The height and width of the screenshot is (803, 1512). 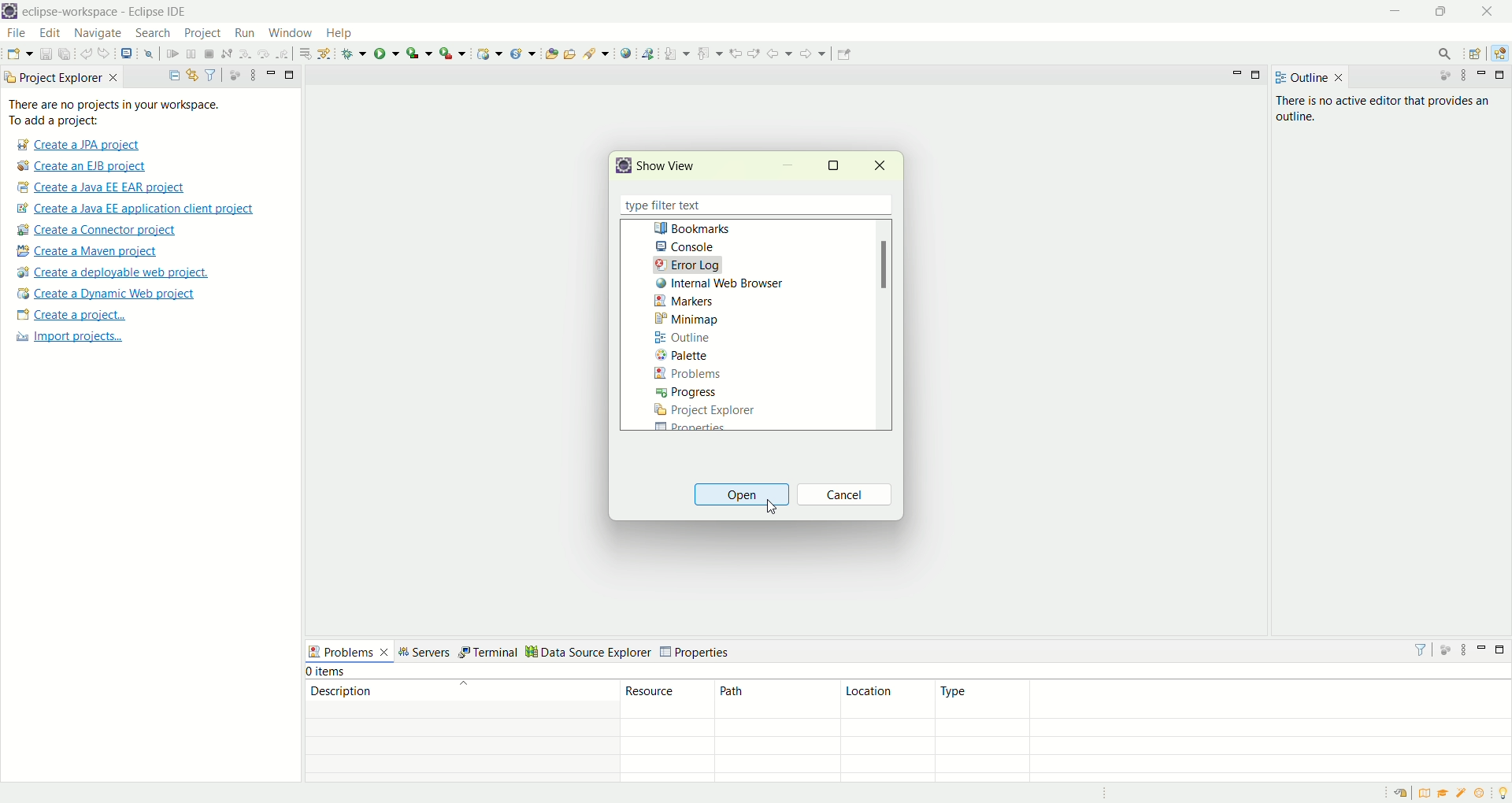 I want to click on open task, so click(x=570, y=54).